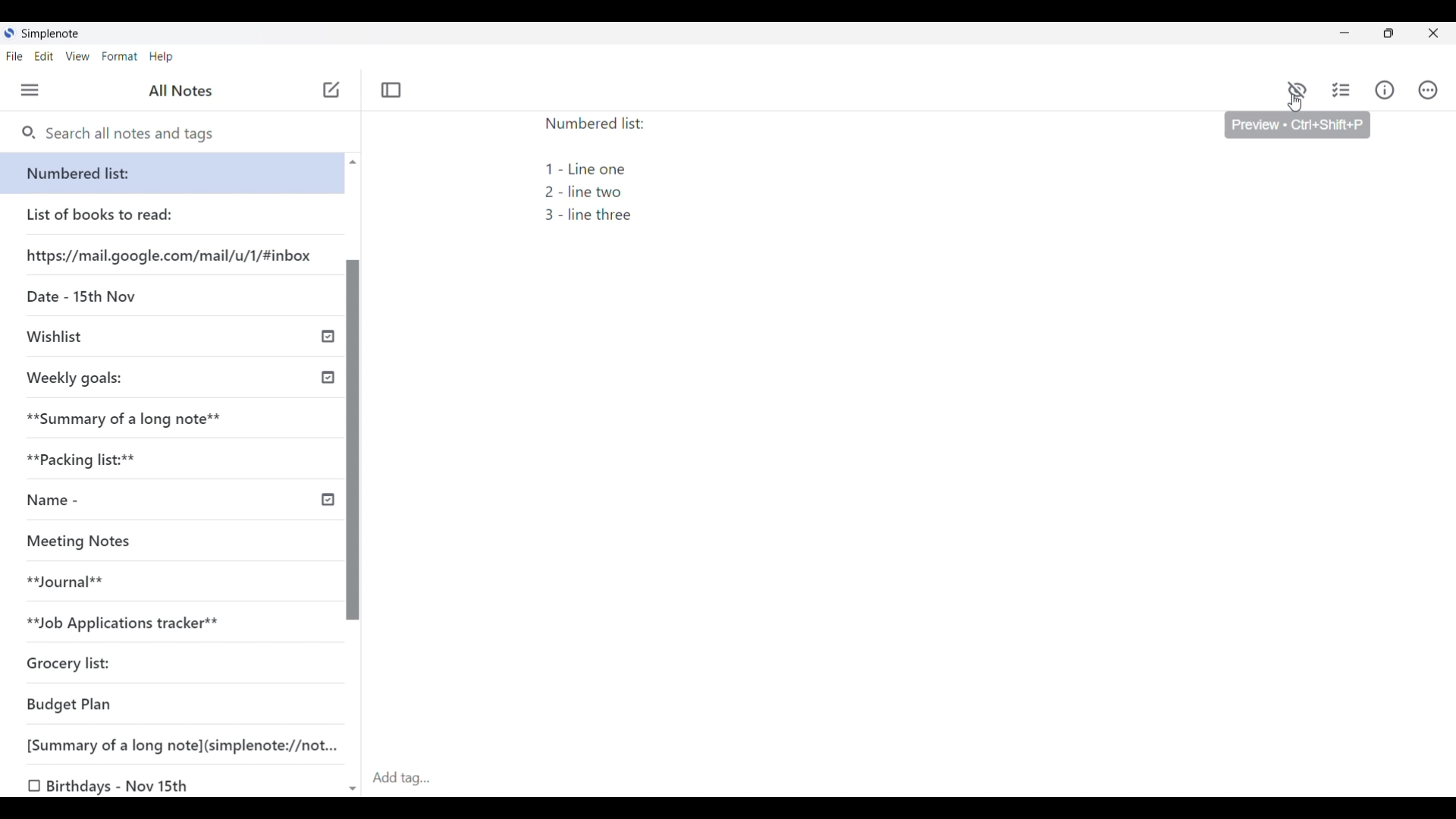 Image resolution: width=1456 pixels, height=819 pixels. I want to click on Birthdays - Nov 15th, so click(124, 784).